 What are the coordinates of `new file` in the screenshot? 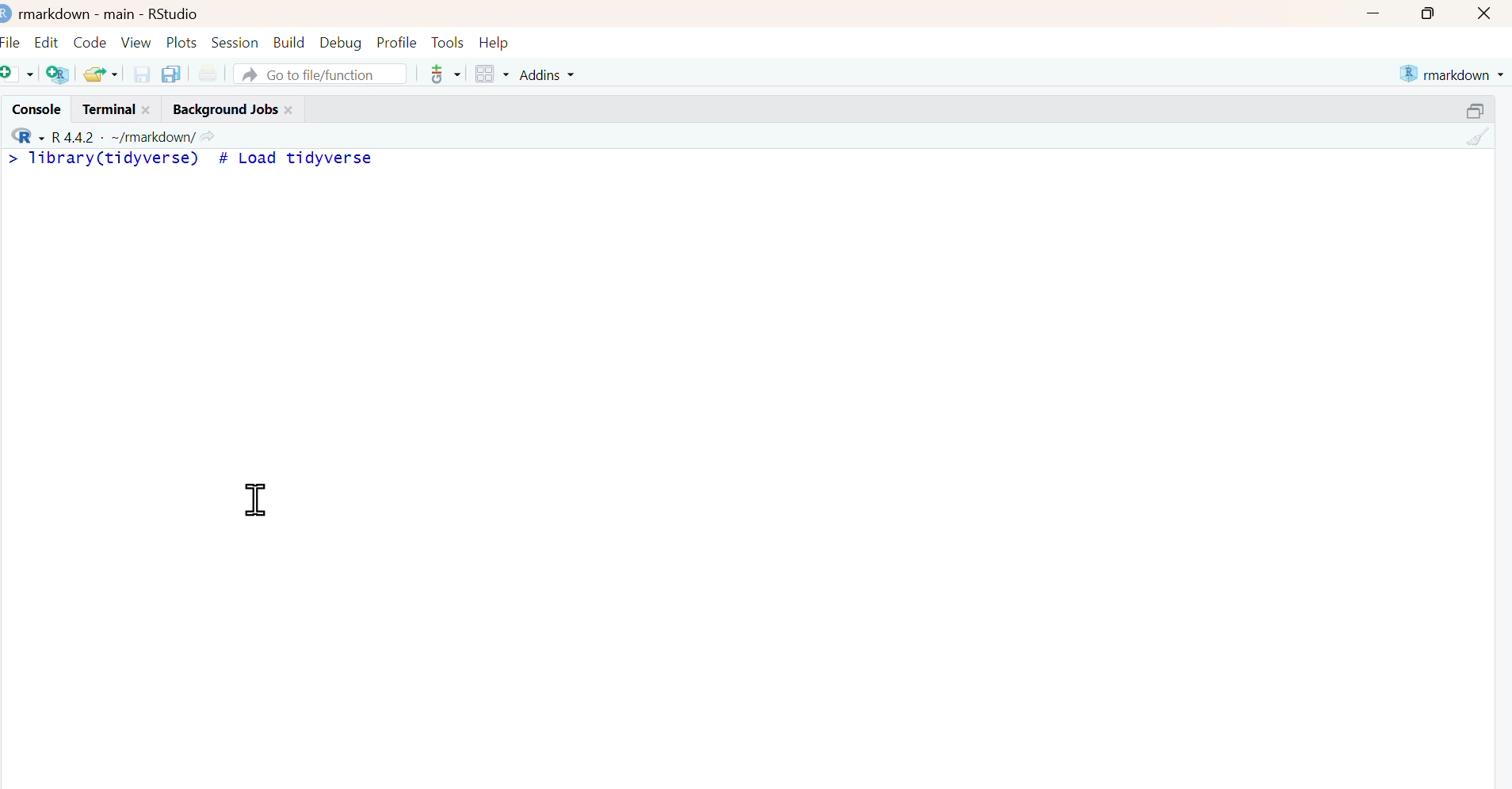 It's located at (19, 73).